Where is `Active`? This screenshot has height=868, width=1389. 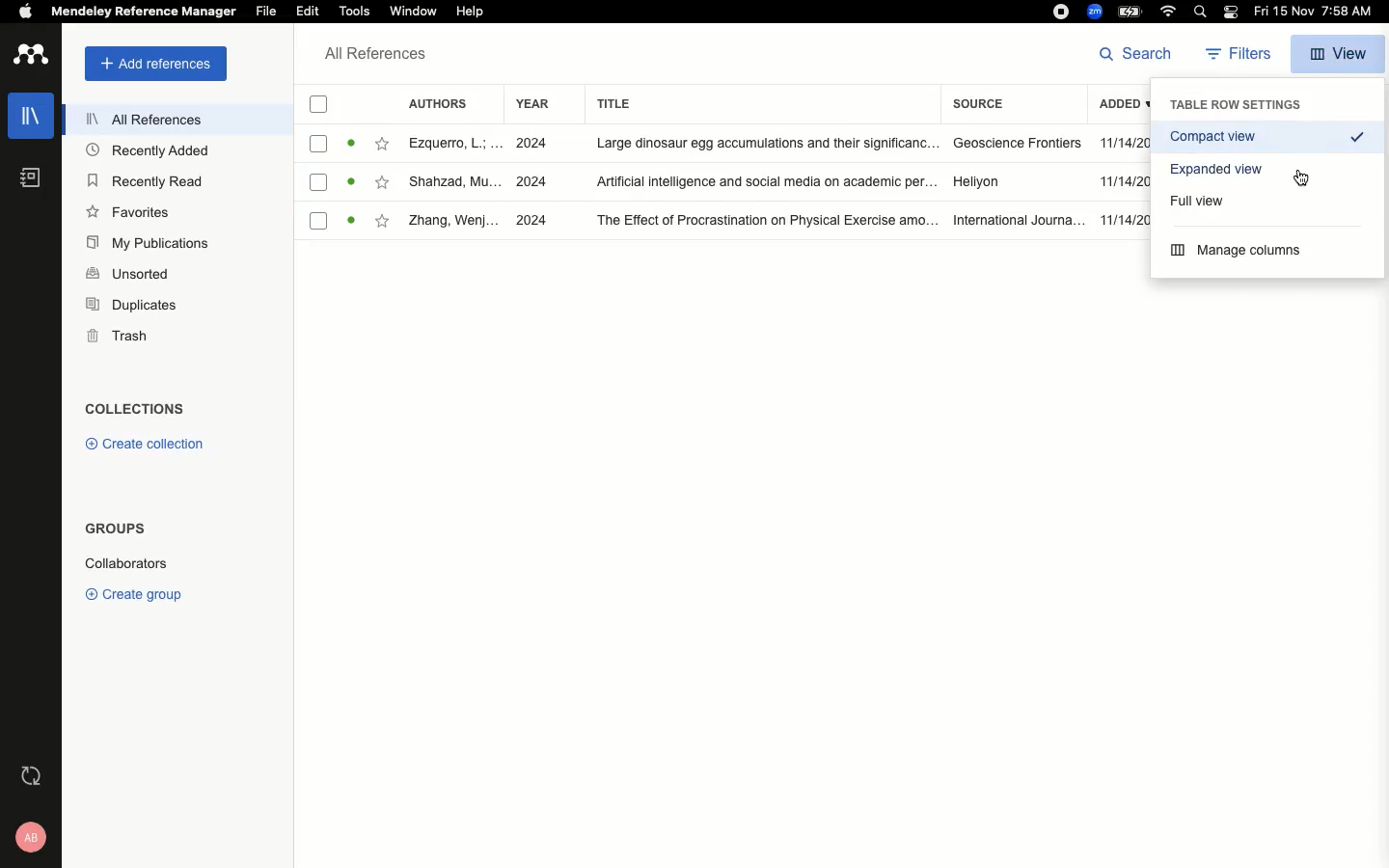
Active is located at coordinates (351, 144).